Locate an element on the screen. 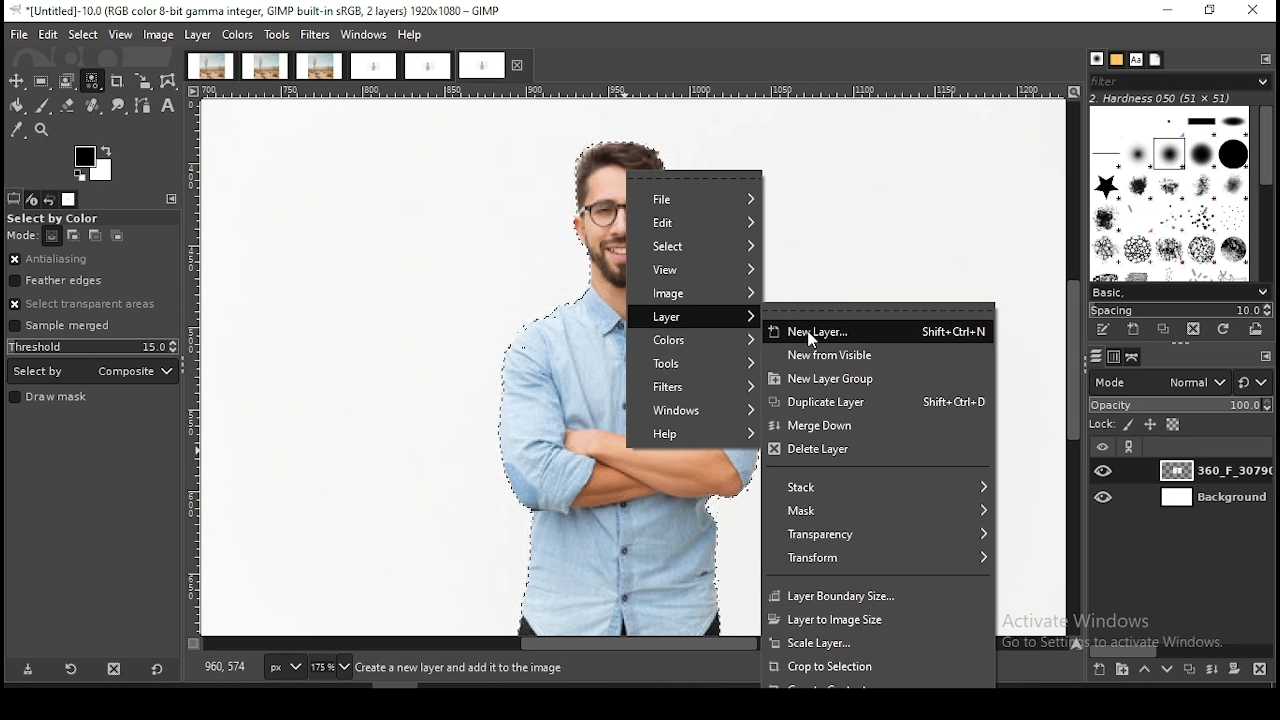  link is located at coordinates (1130, 447).